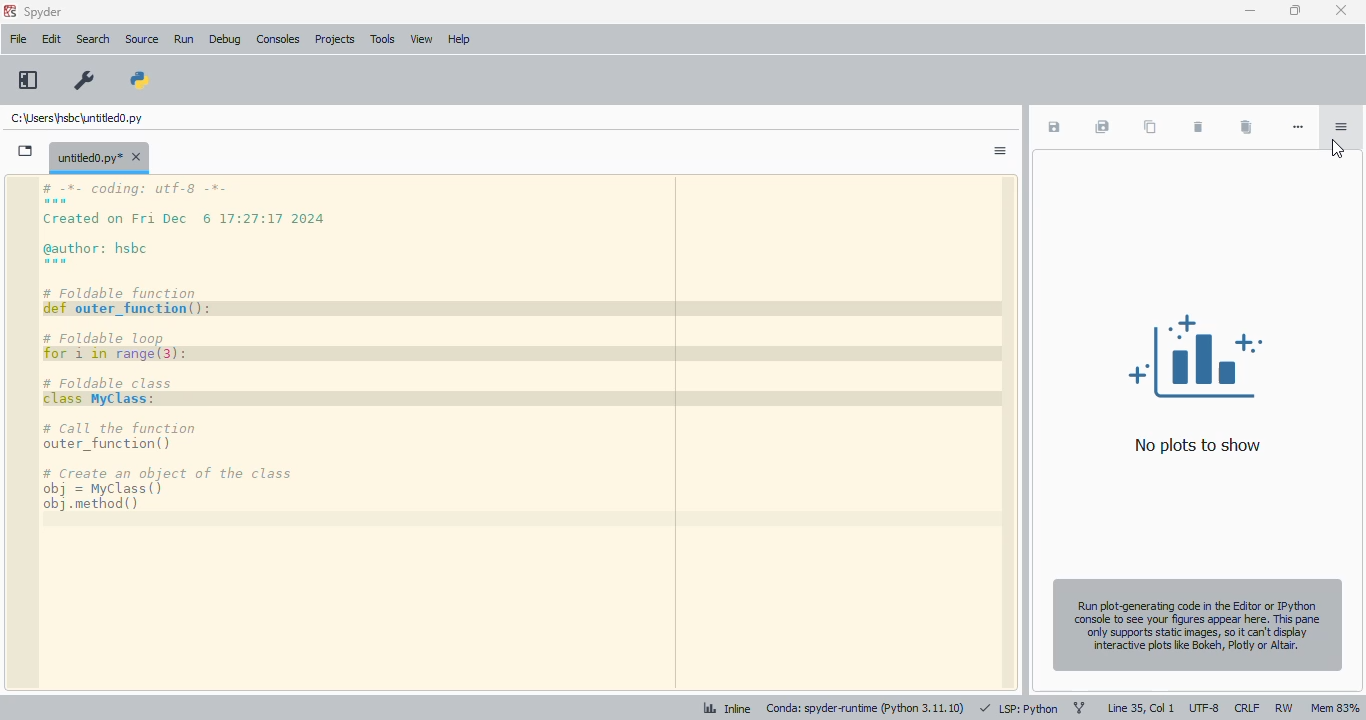  I want to click on debug, so click(225, 39).